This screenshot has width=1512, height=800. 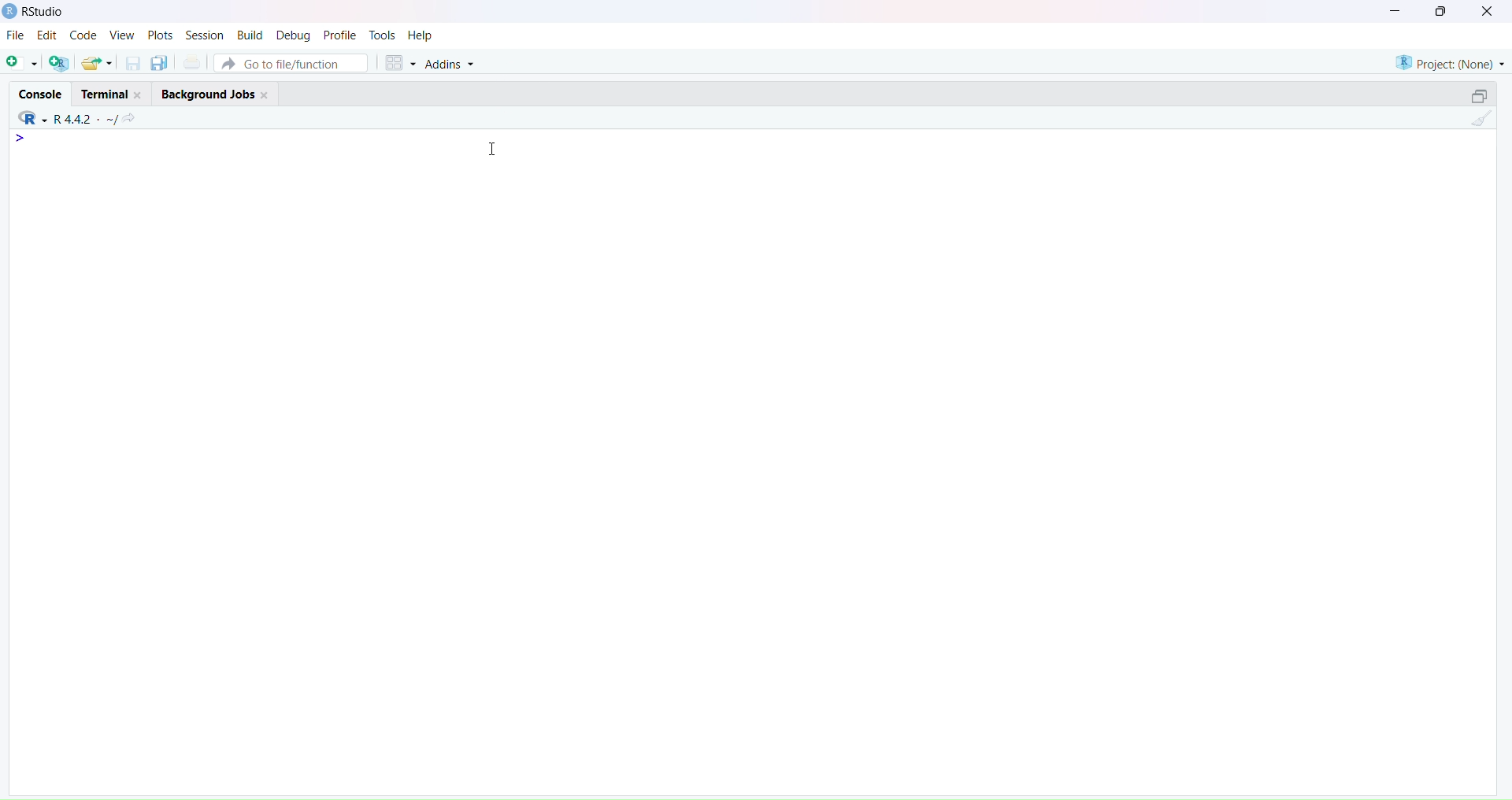 What do you see at coordinates (251, 35) in the screenshot?
I see `build` at bounding box center [251, 35].